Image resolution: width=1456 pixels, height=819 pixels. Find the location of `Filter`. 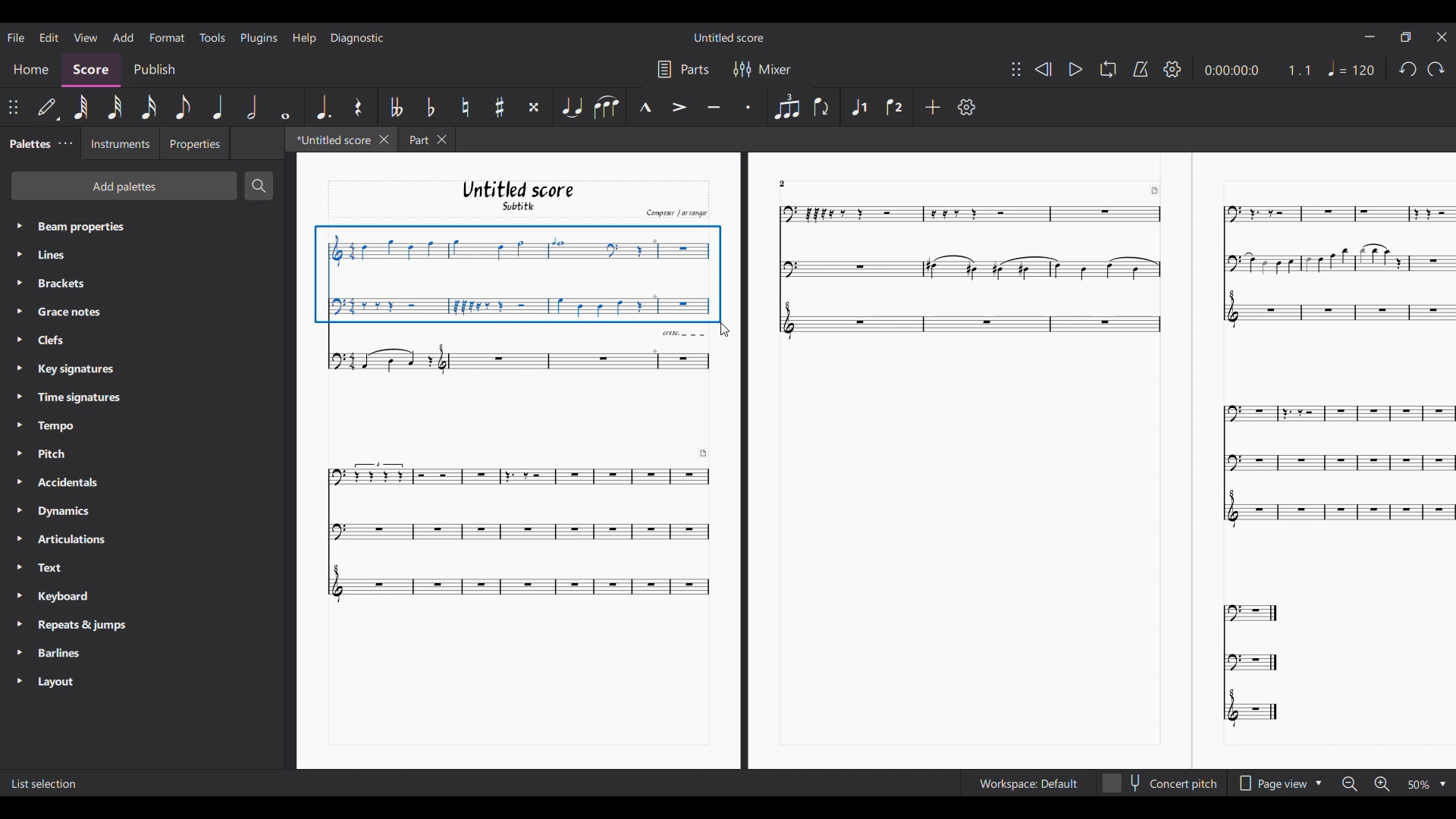

Filter is located at coordinates (740, 69).